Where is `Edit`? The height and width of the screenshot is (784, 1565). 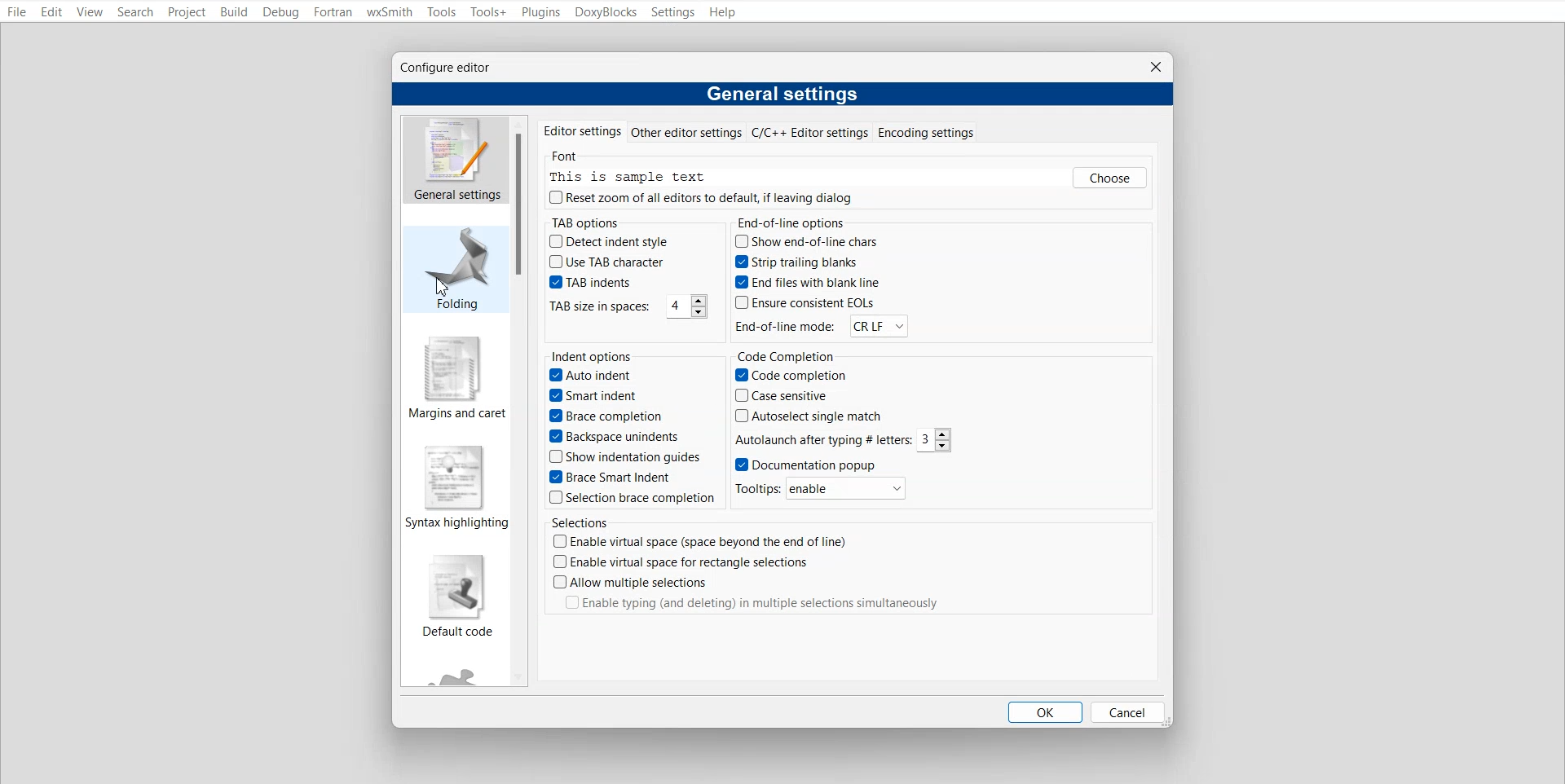 Edit is located at coordinates (53, 12).